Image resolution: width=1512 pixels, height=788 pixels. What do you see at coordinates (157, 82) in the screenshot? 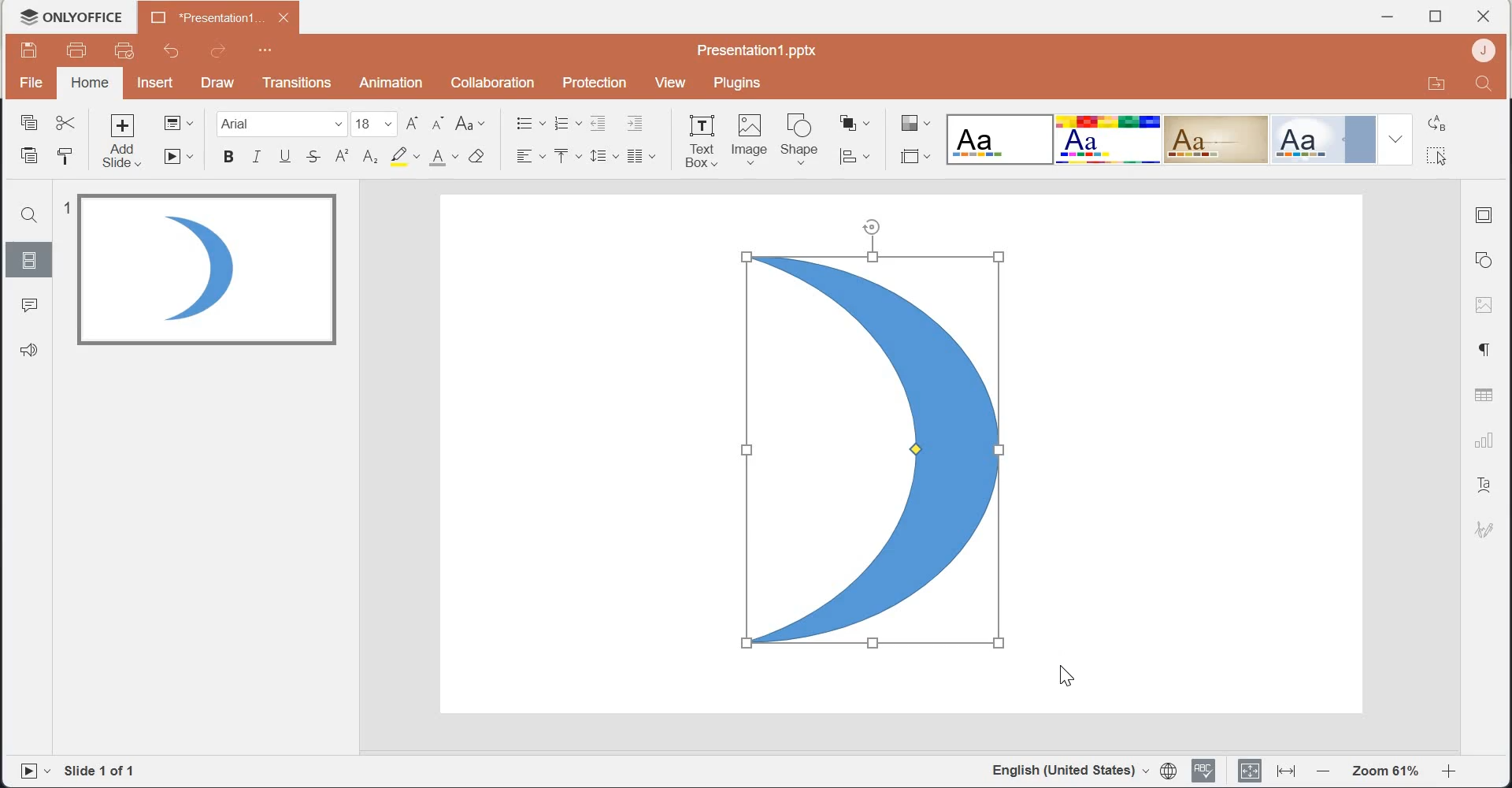
I see `Insert` at bounding box center [157, 82].